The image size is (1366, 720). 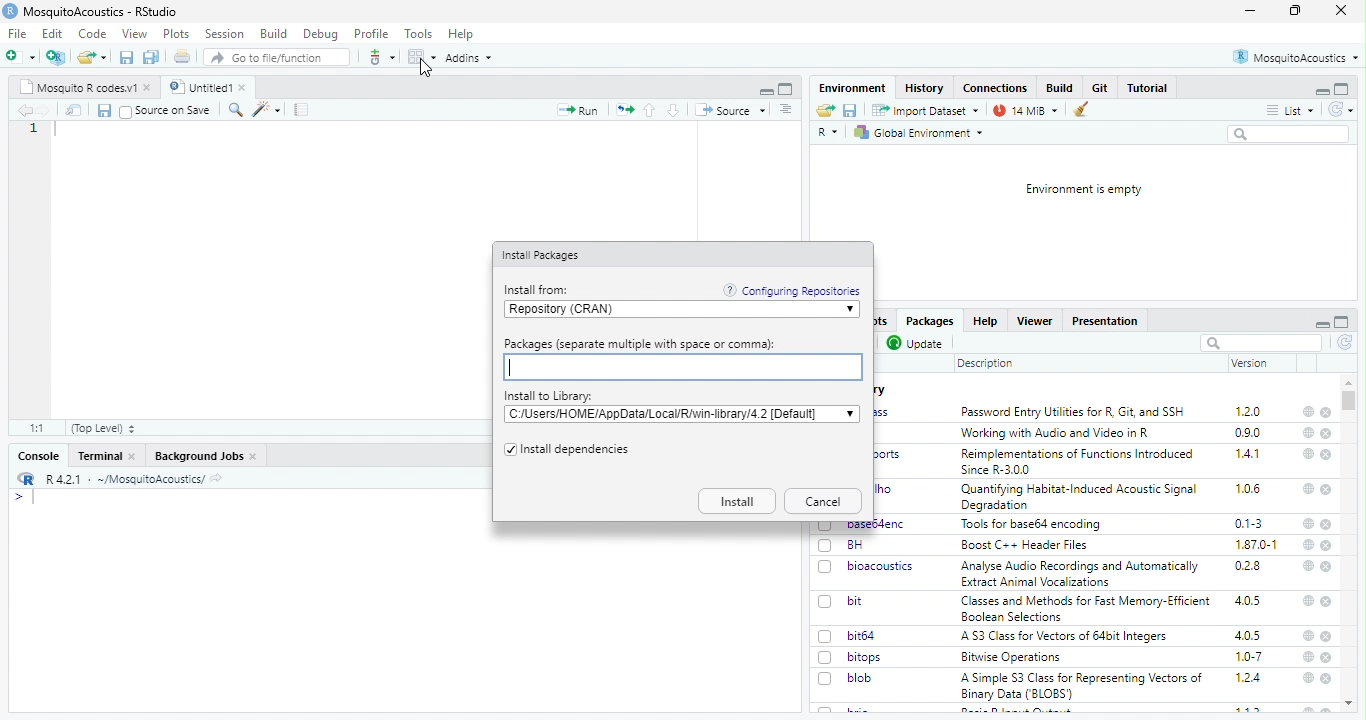 I want to click on Help, so click(x=985, y=321).